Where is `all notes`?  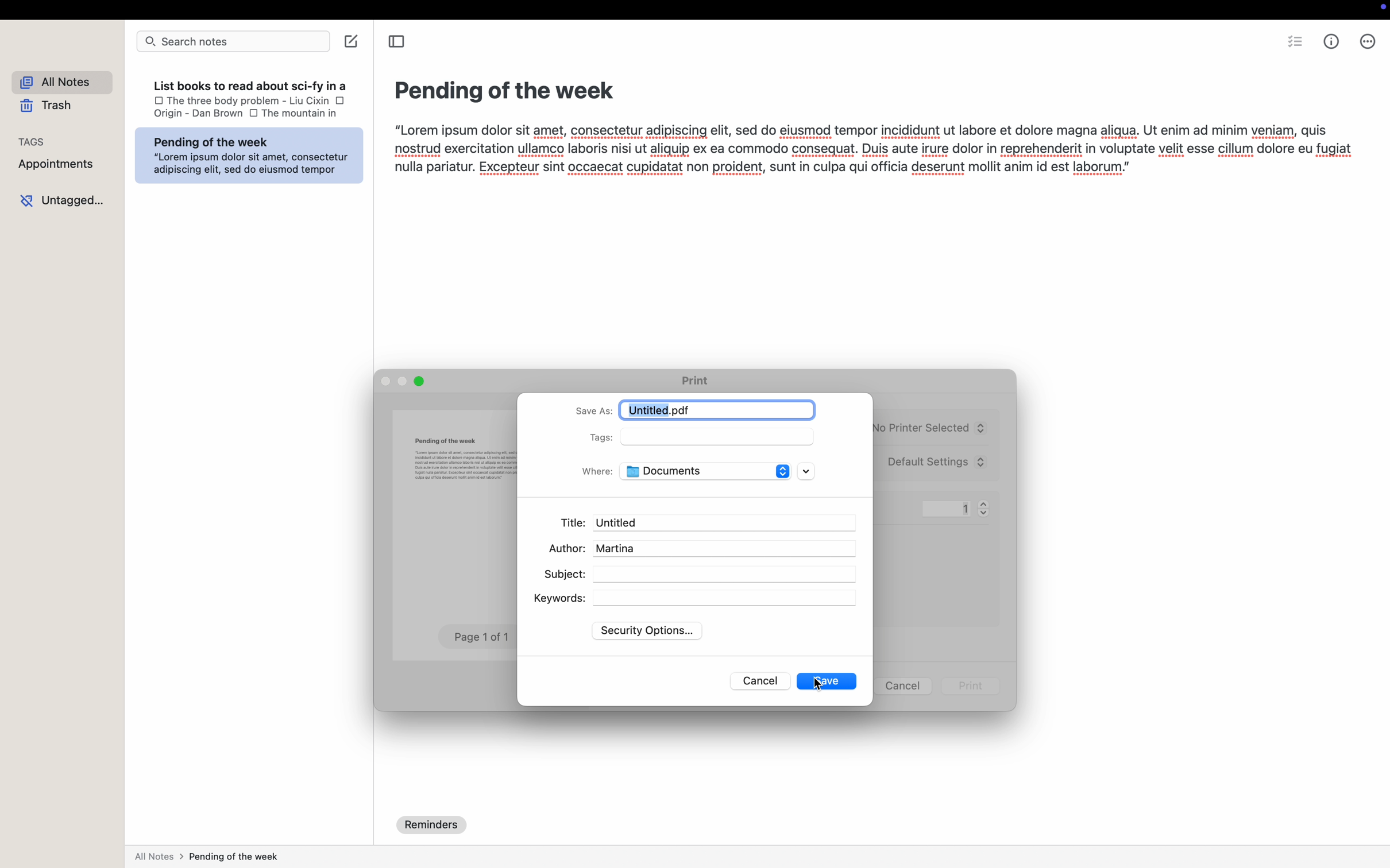 all notes is located at coordinates (61, 82).